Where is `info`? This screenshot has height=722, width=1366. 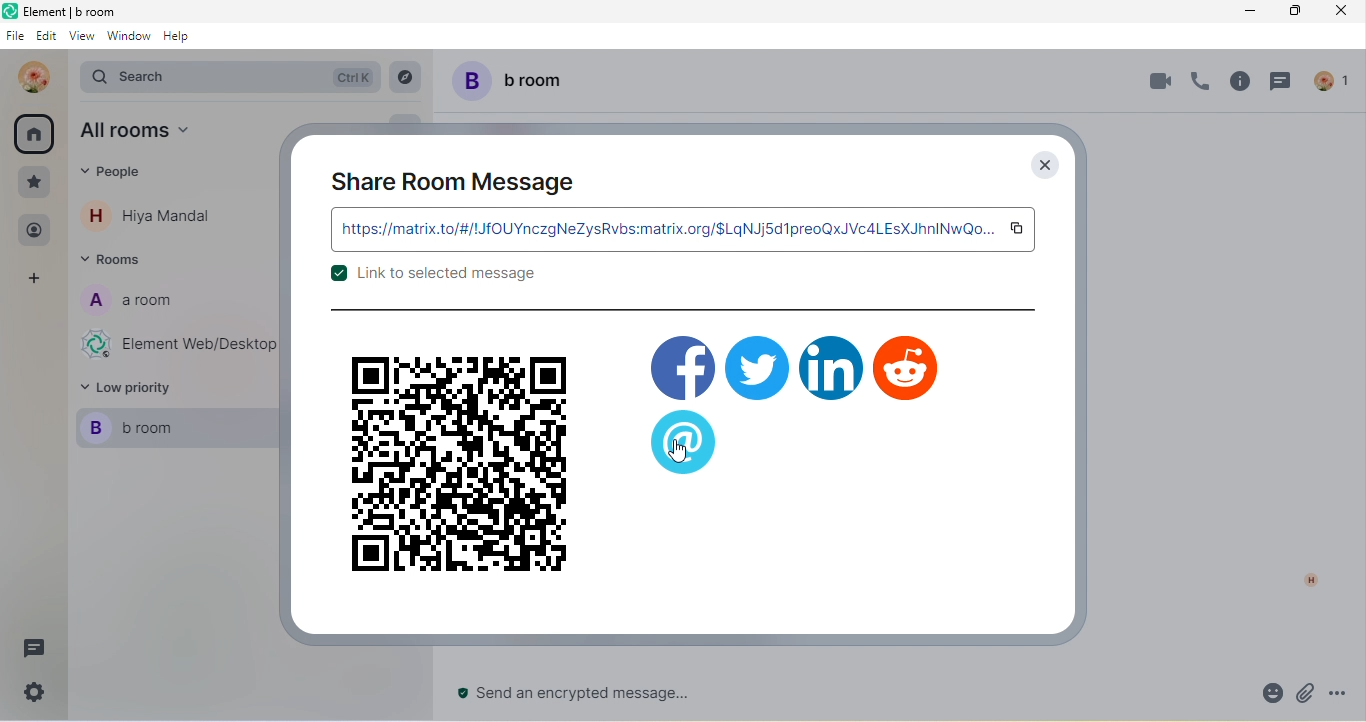
info is located at coordinates (1238, 85).